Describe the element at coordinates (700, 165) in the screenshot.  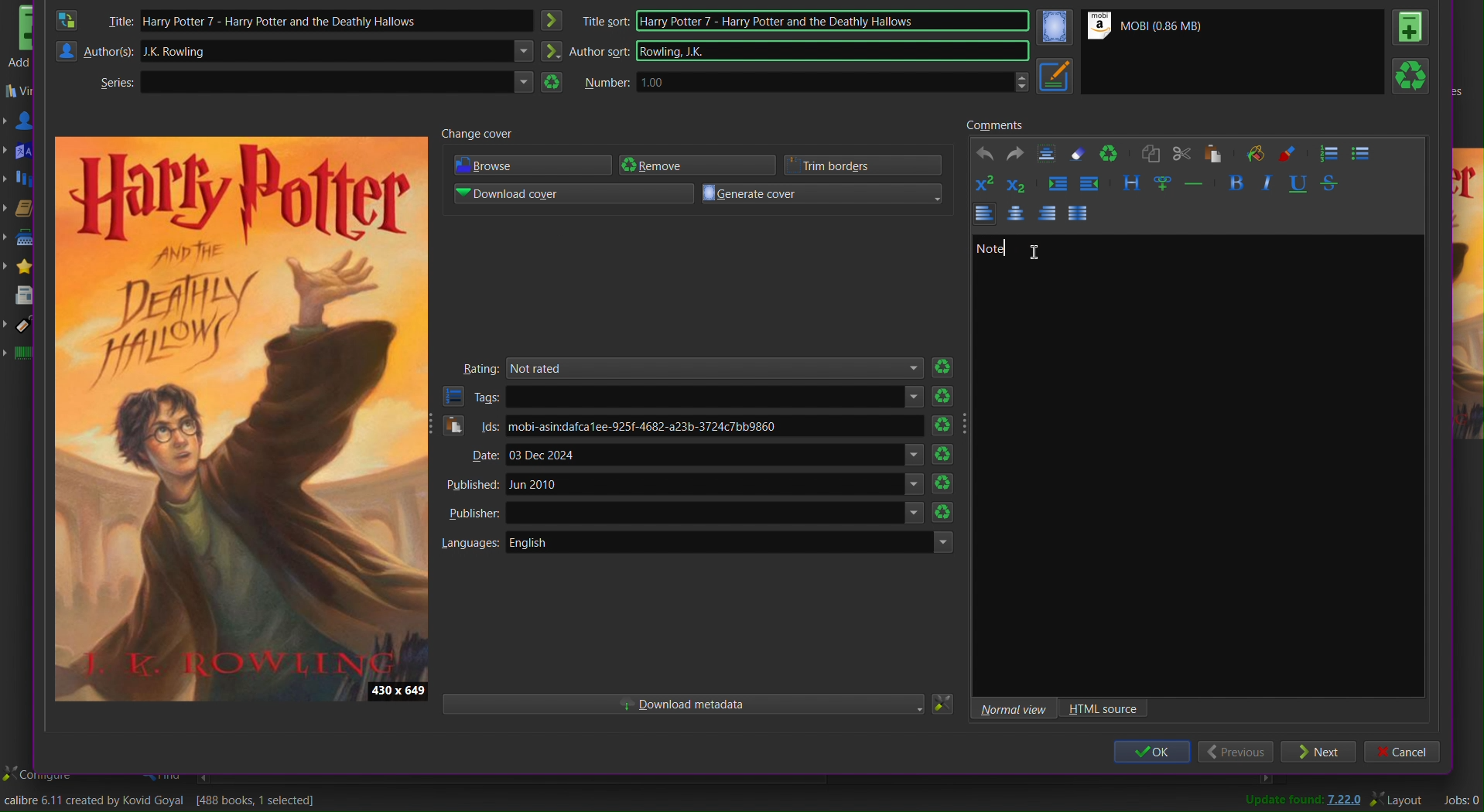
I see `Remove` at that location.